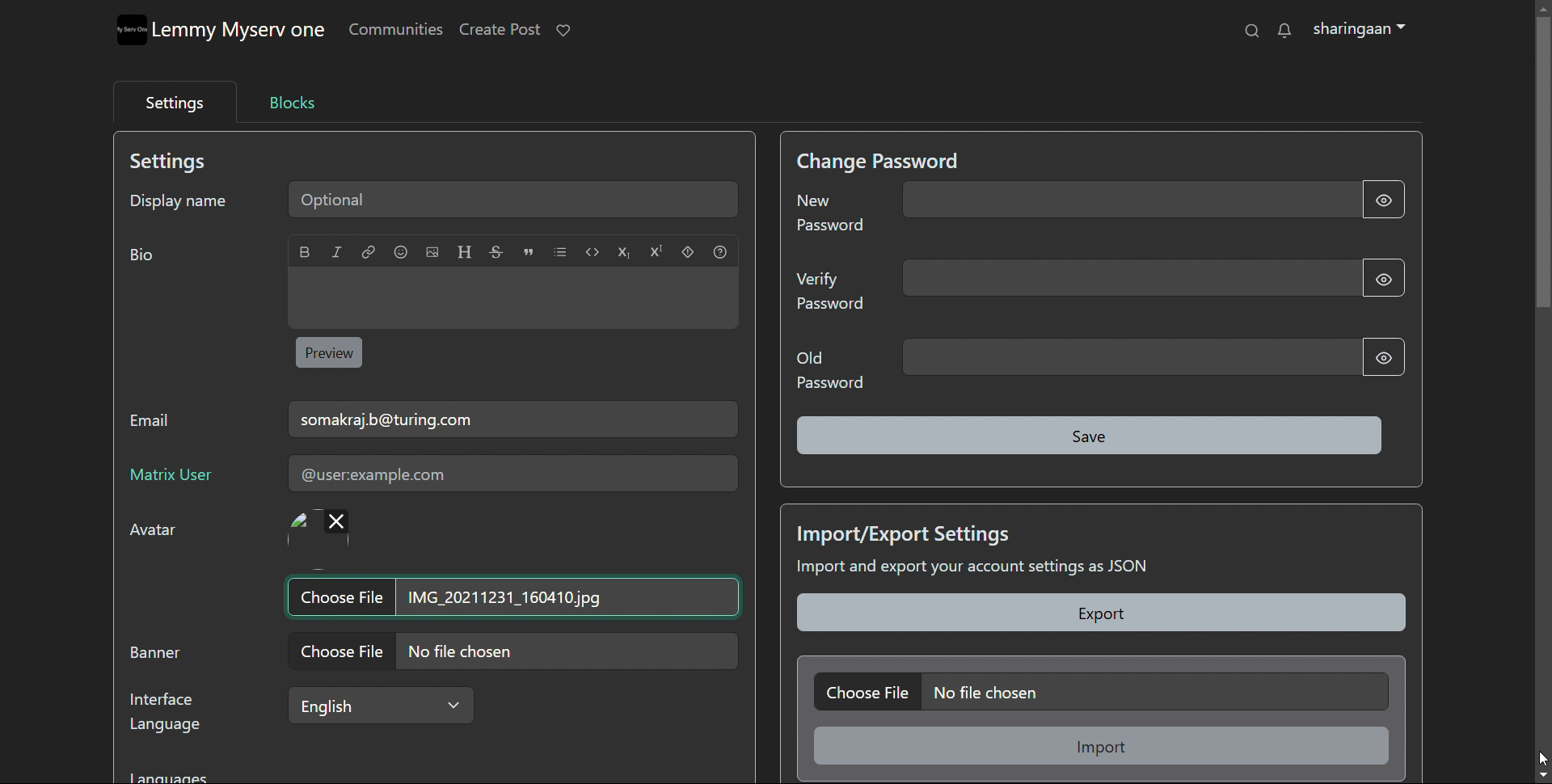 The width and height of the screenshot is (1552, 784). I want to click on help, so click(721, 252).